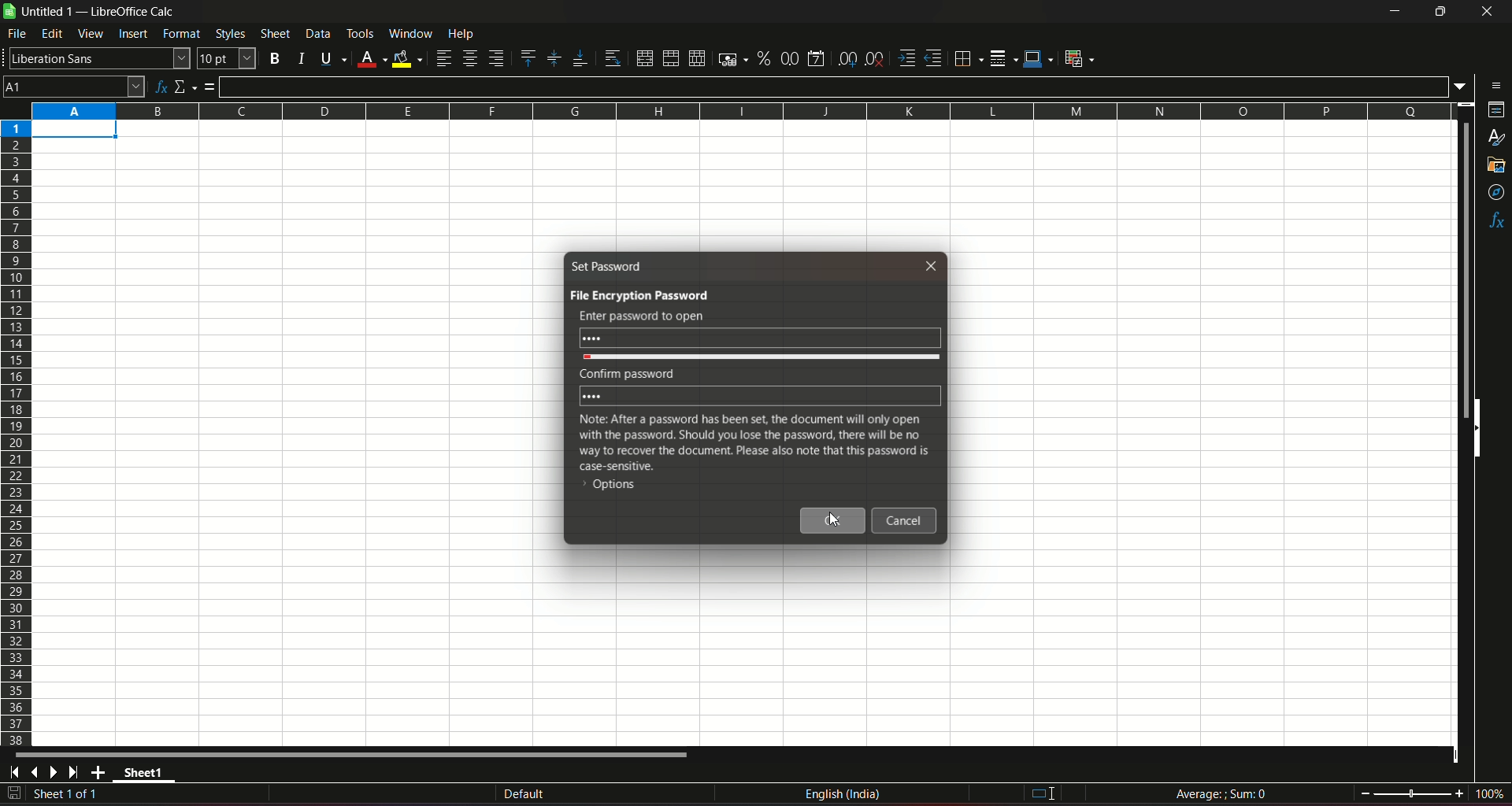  I want to click on formula, so click(1221, 793).